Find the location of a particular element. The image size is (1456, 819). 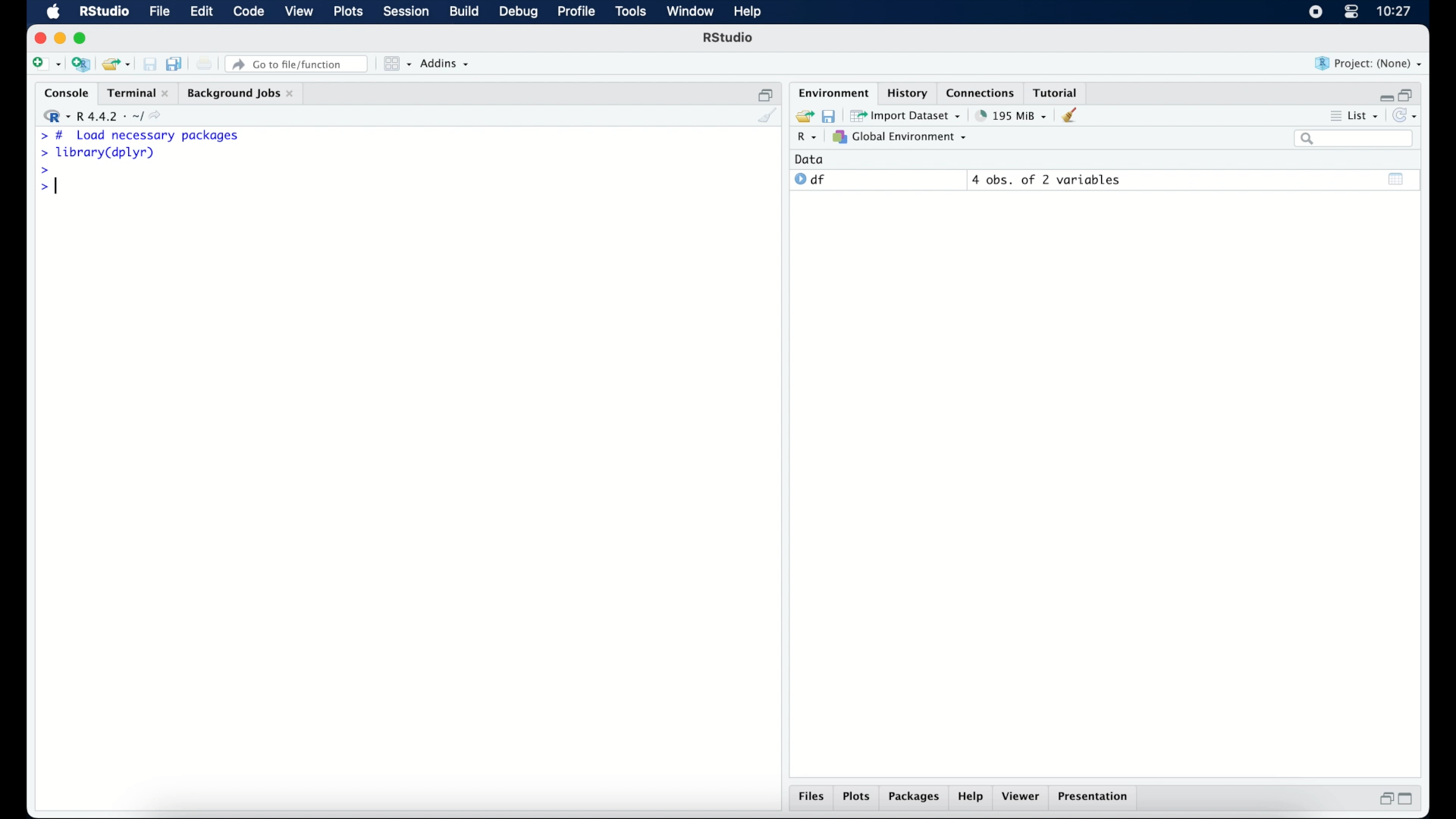

show output  window is located at coordinates (1397, 178).